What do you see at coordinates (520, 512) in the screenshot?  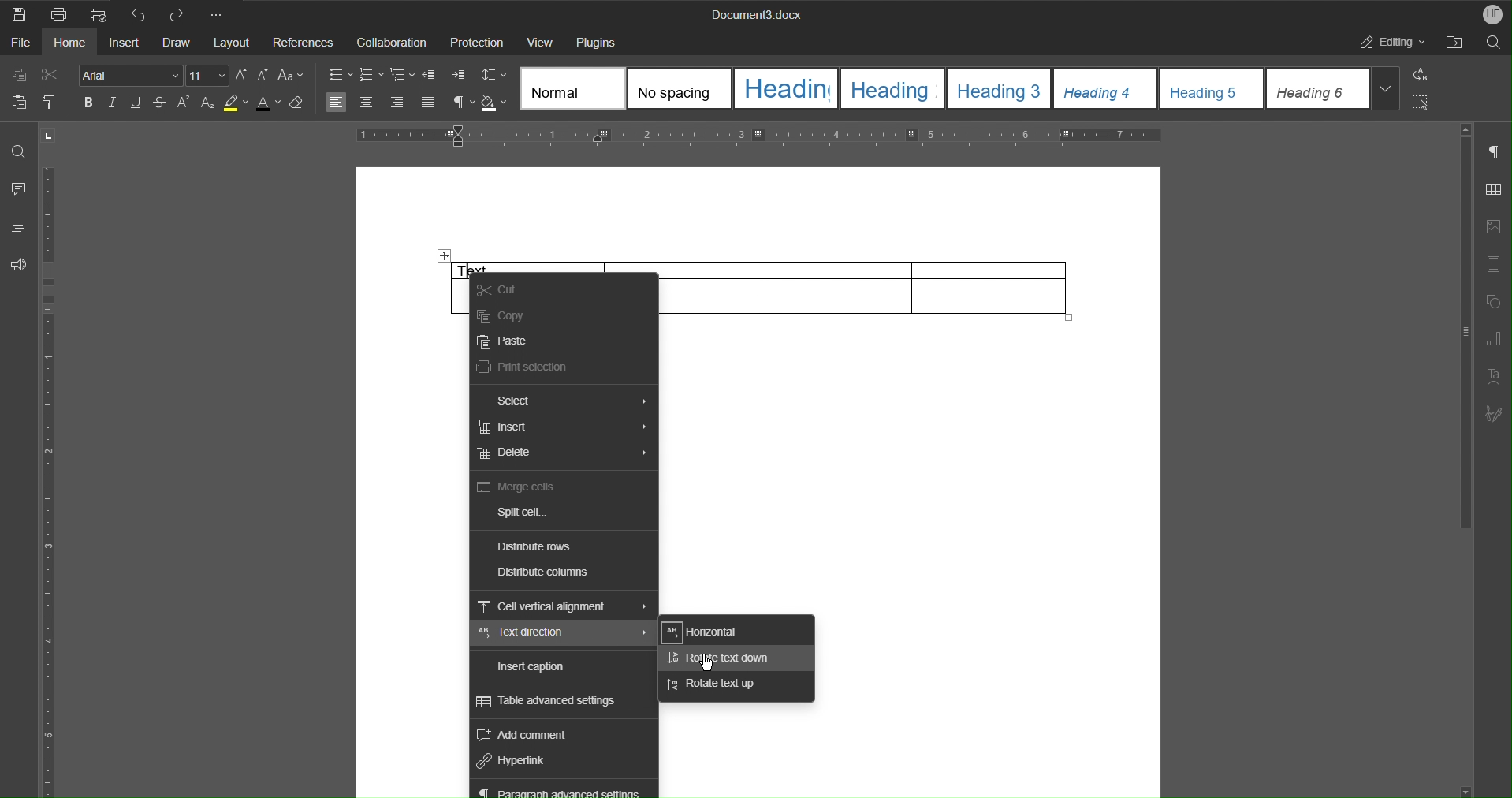 I see `Split cell` at bounding box center [520, 512].